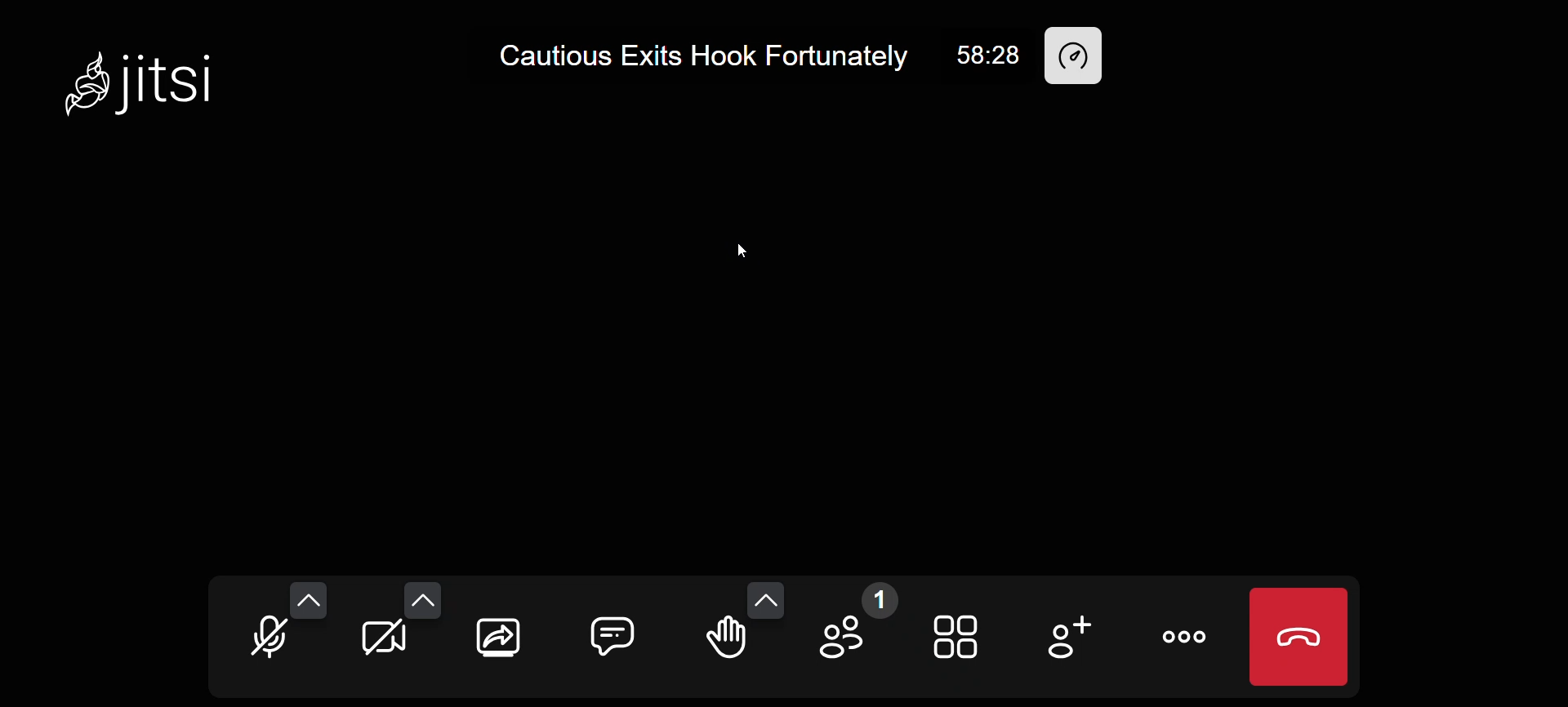 The width and height of the screenshot is (1568, 707). I want to click on cursor, so click(745, 254).